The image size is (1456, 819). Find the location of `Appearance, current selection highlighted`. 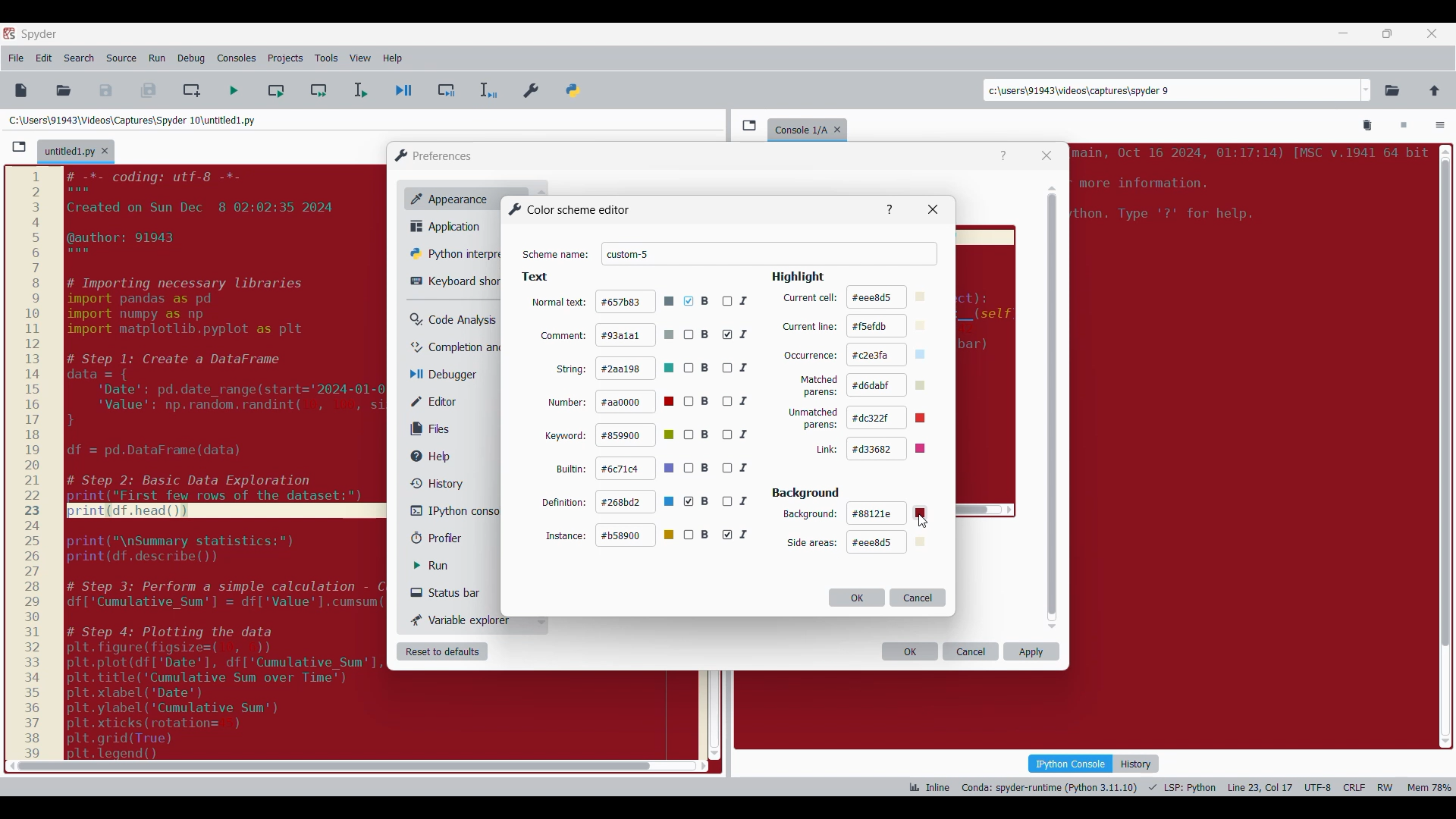

Appearance, current selection highlighted is located at coordinates (446, 197).